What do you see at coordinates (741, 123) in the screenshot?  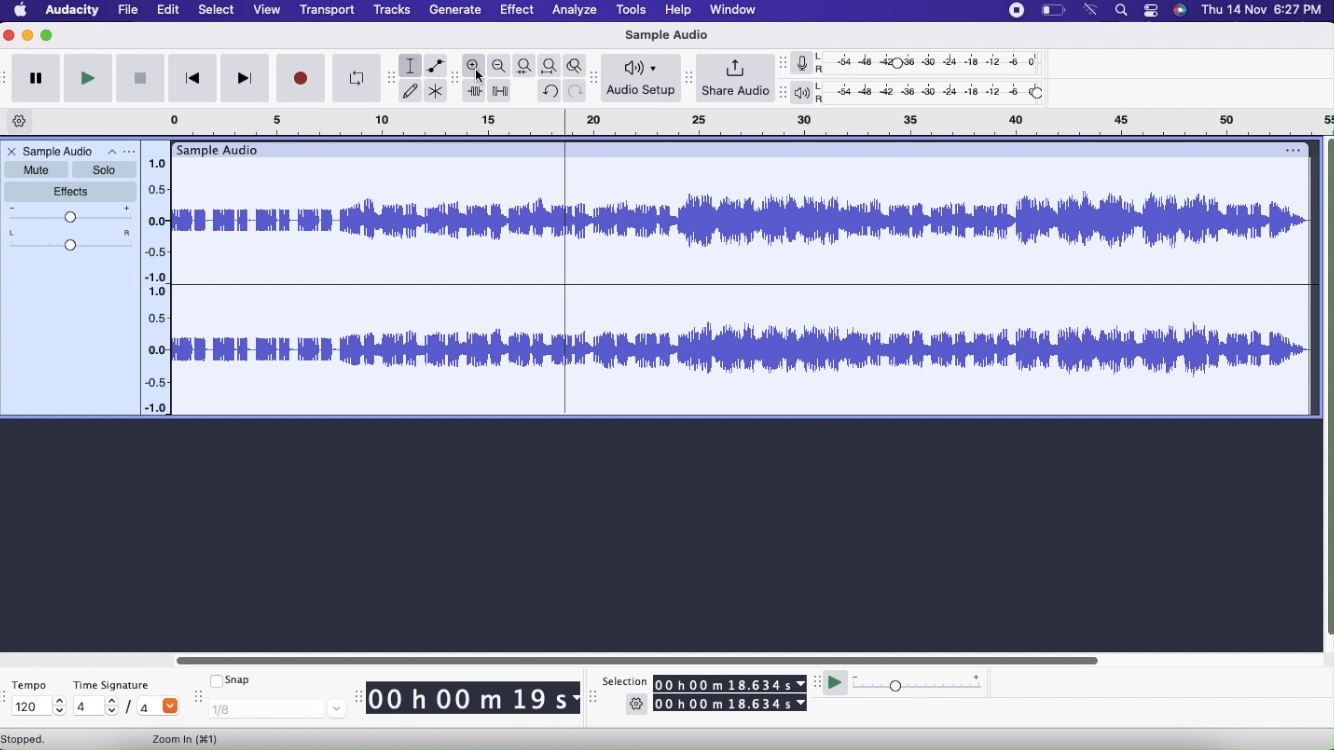 I see `click and drag to define looping region` at bounding box center [741, 123].